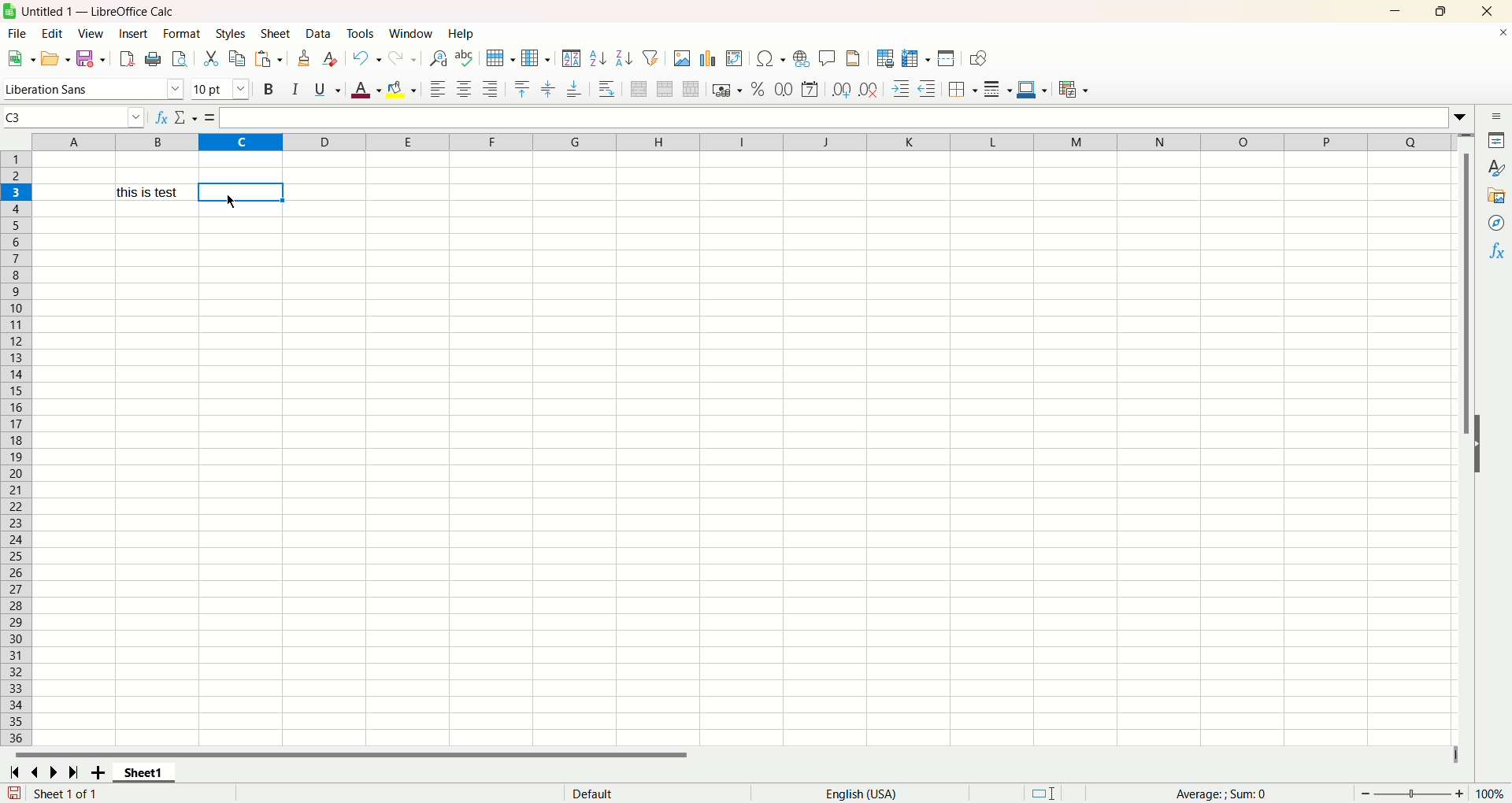 The height and width of the screenshot is (803, 1512). Describe the element at coordinates (638, 89) in the screenshot. I see `merge and center` at that location.